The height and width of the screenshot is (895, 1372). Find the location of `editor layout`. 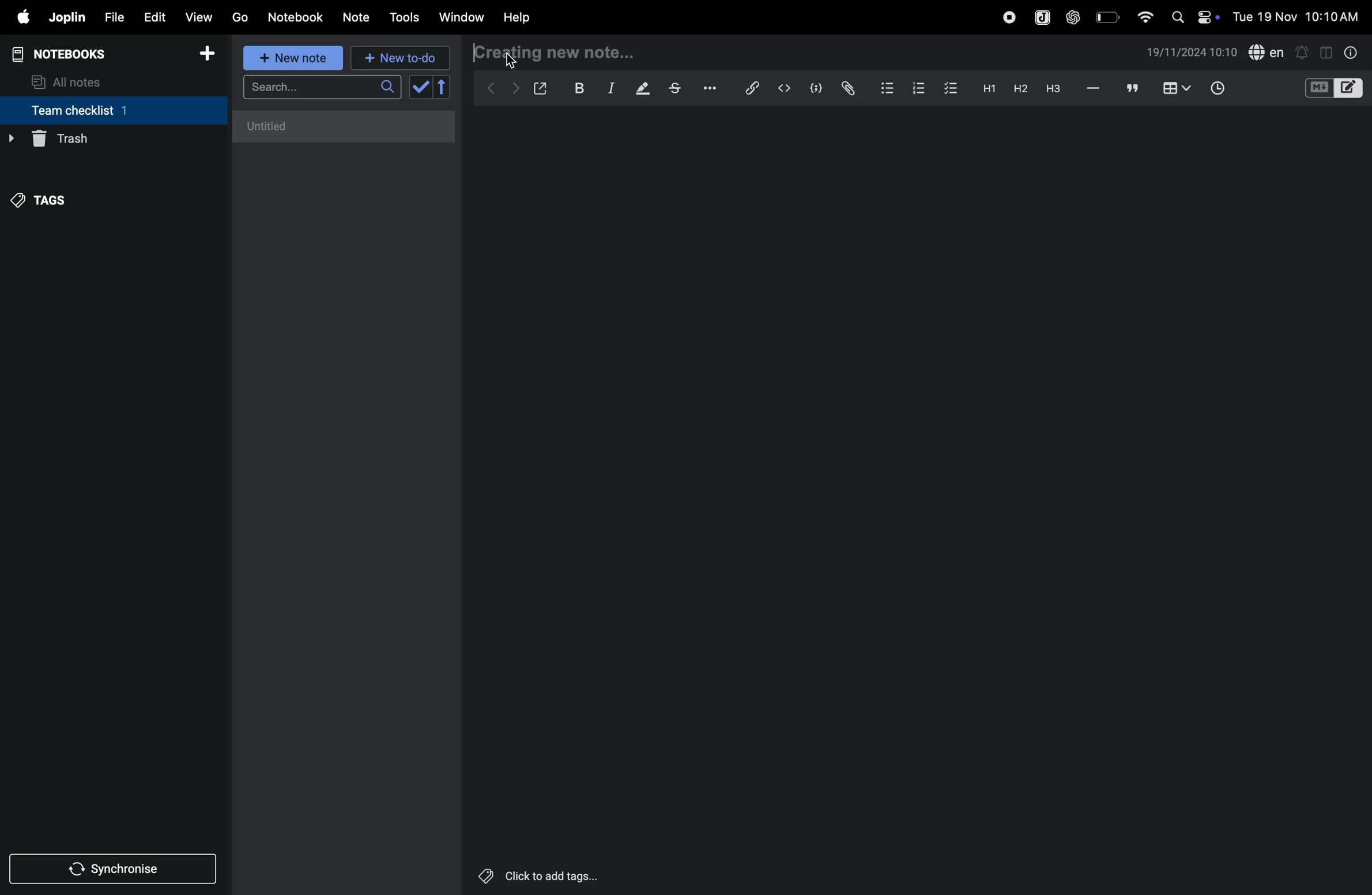

editor layout is located at coordinates (1350, 87).